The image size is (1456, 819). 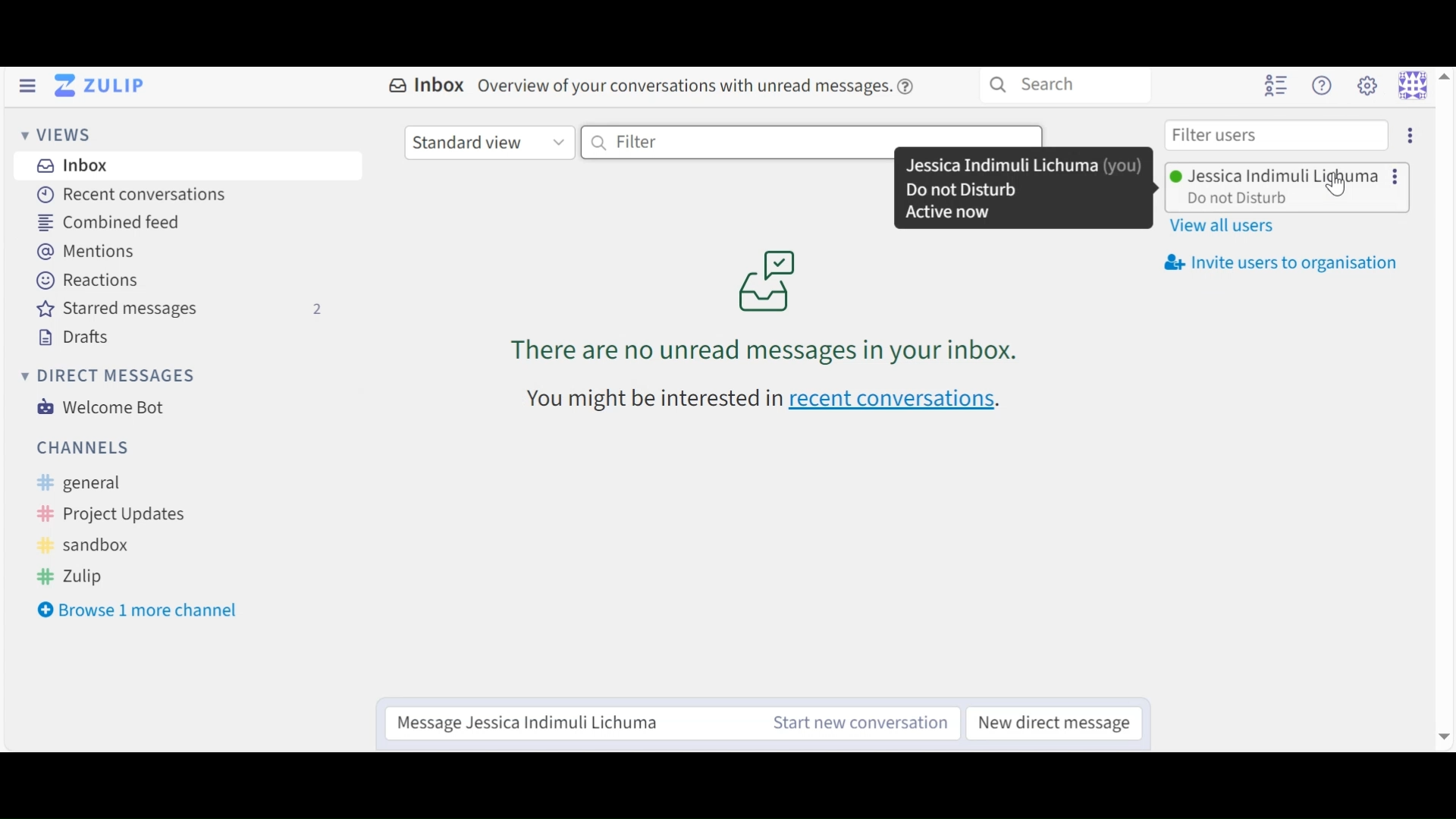 I want to click on Channels, so click(x=86, y=448).